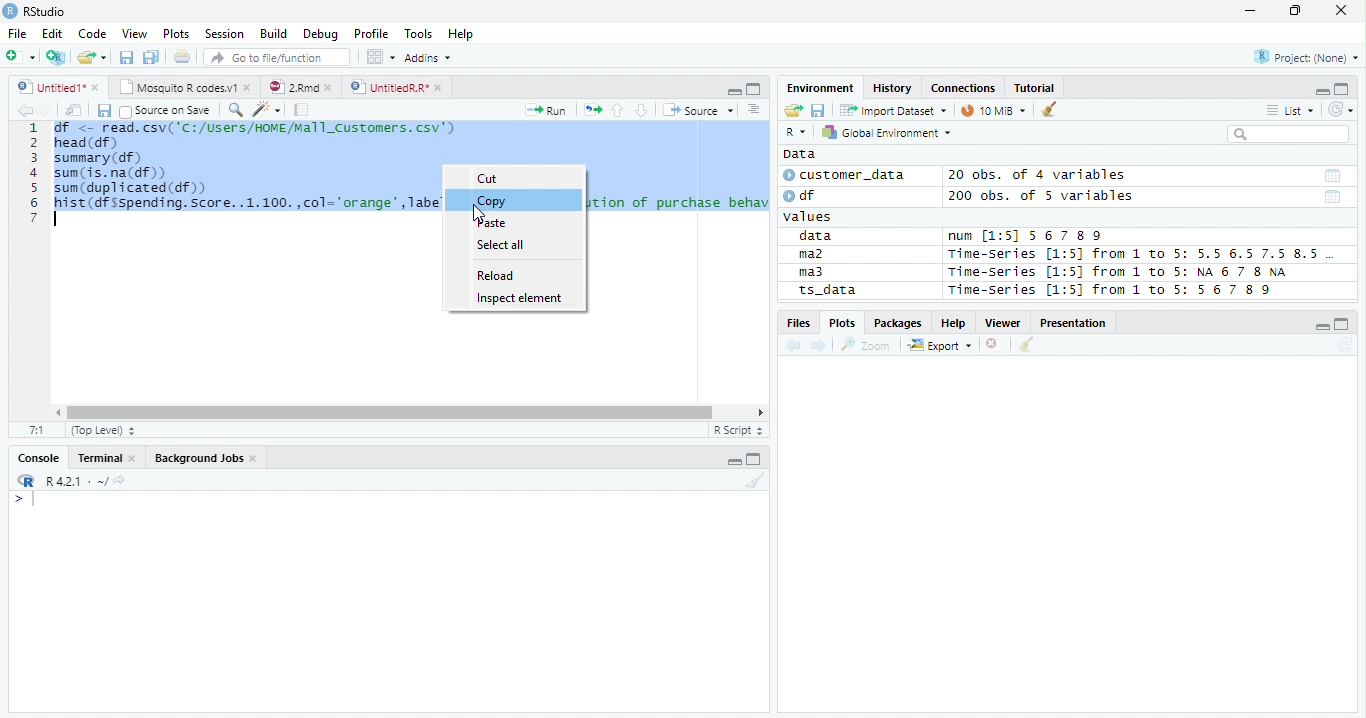 Image resolution: width=1366 pixels, height=718 pixels. Describe the element at coordinates (106, 460) in the screenshot. I see `Terminal` at that location.